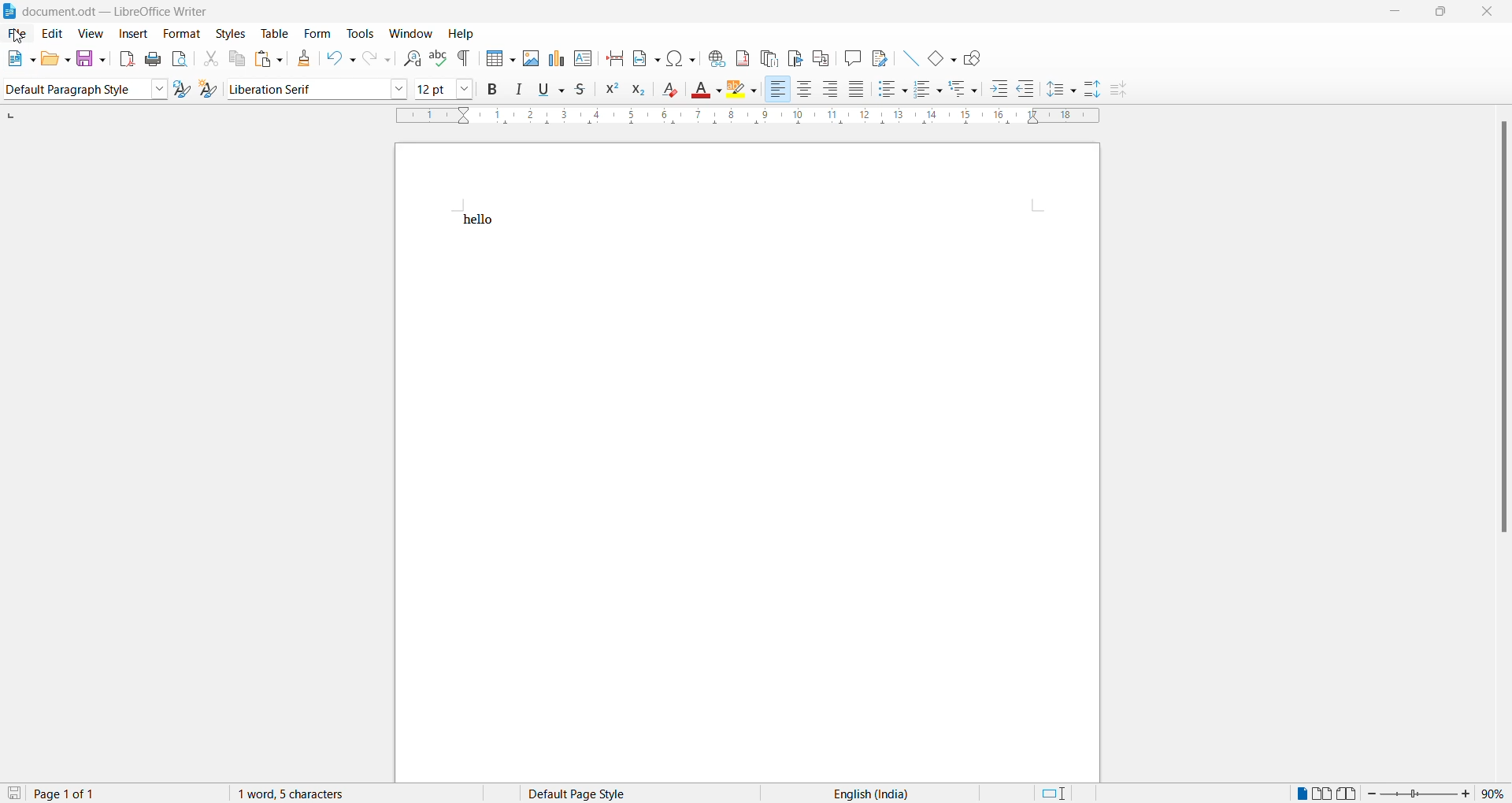 Image resolution: width=1512 pixels, height=803 pixels. Describe the element at coordinates (852, 59) in the screenshot. I see `Insert comments` at that location.